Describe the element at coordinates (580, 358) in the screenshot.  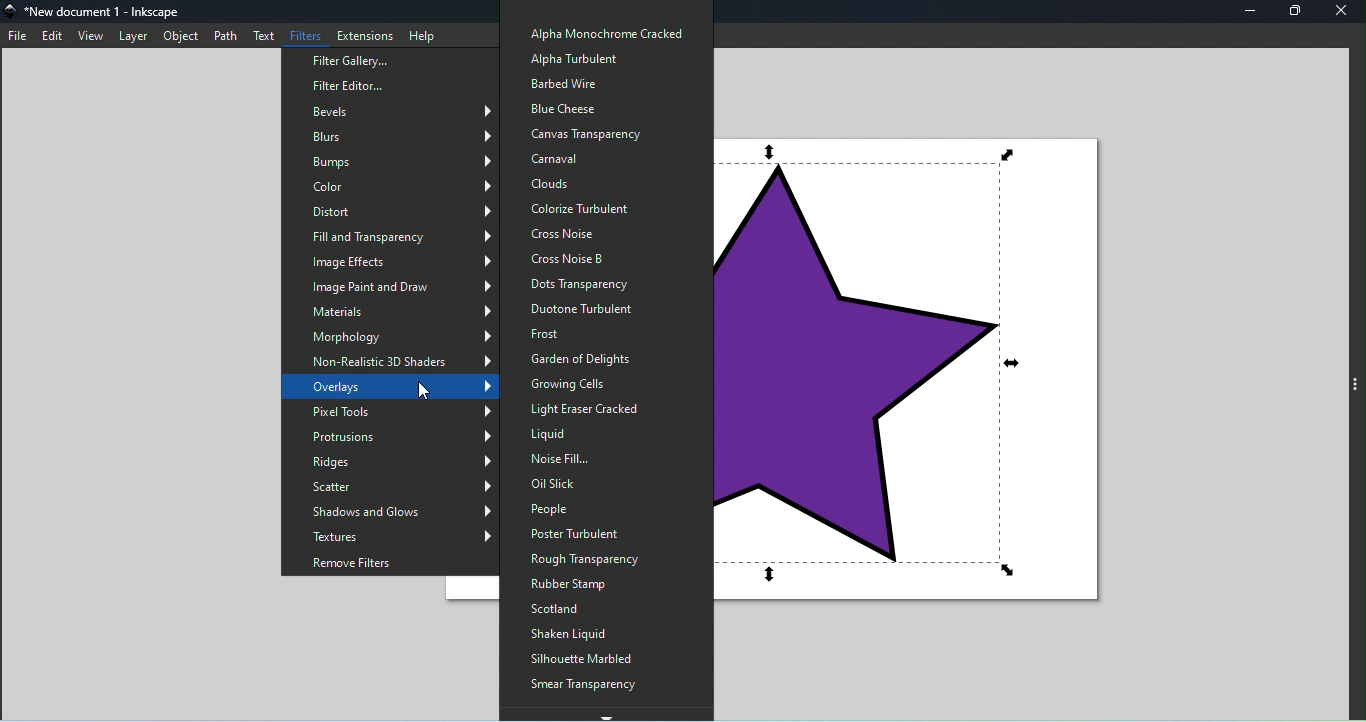
I see `Garden of delights` at that location.